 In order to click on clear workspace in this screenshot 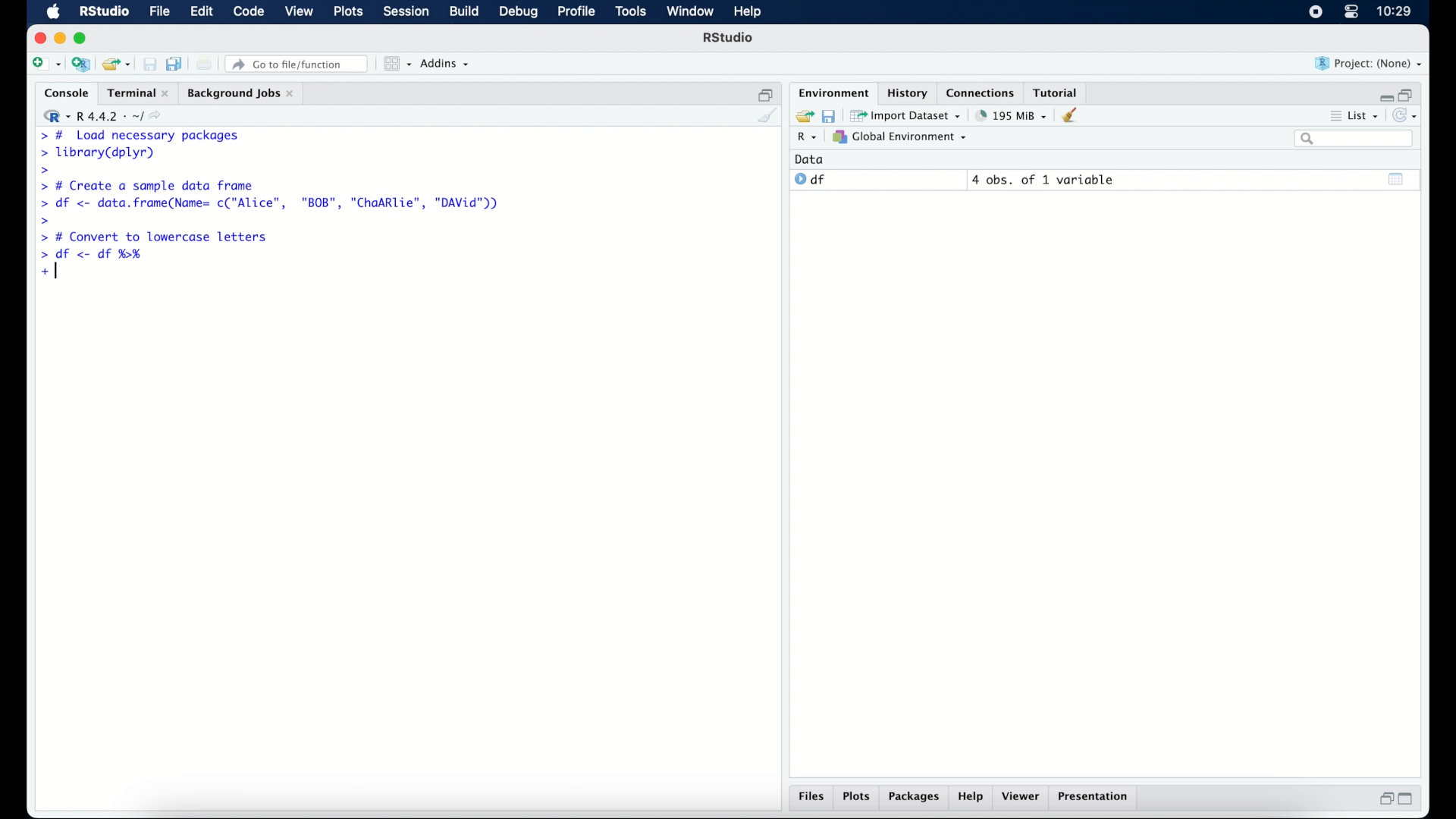, I will do `click(1075, 116)`.